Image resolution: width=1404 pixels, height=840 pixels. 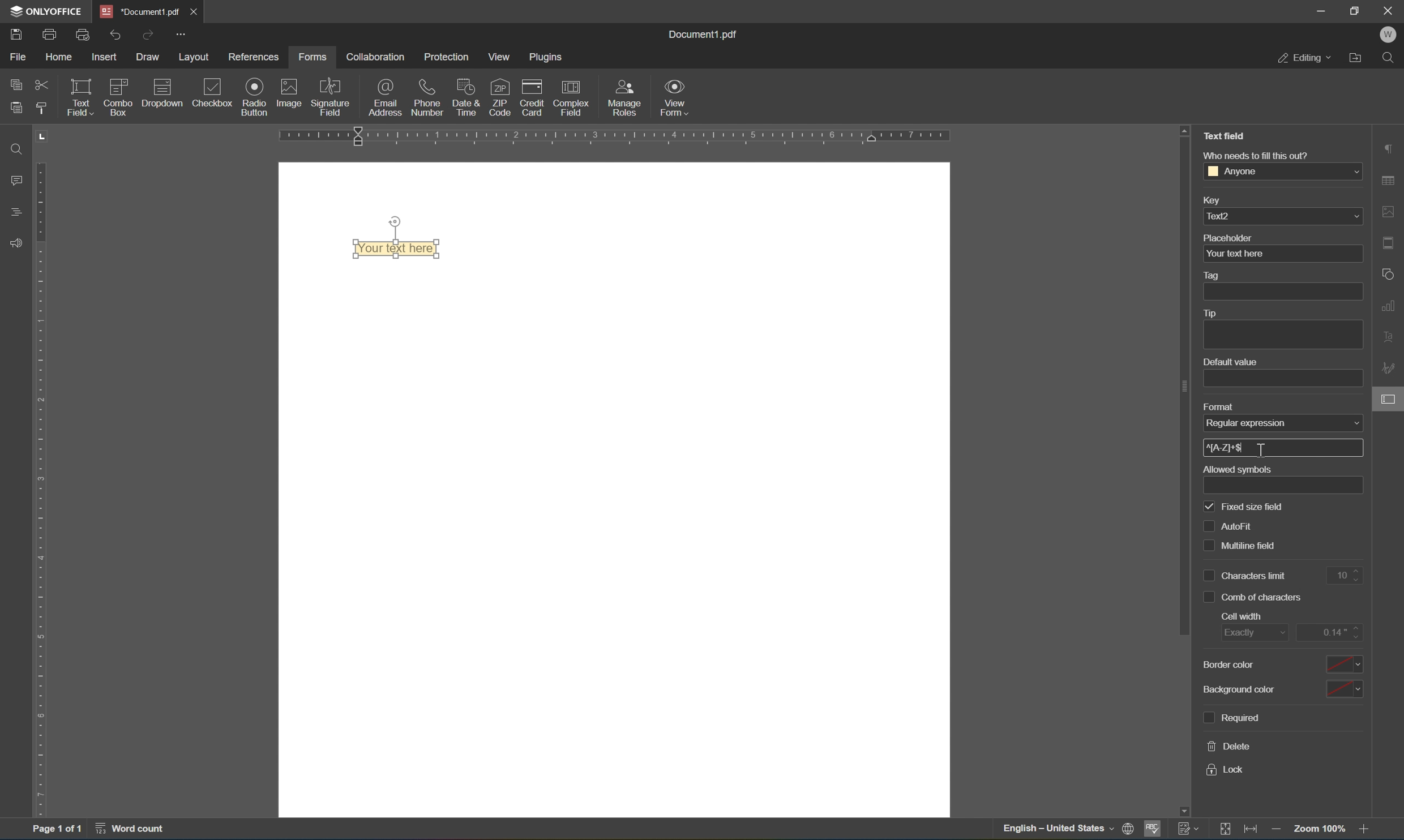 I want to click on ONLYOFFICE, so click(x=48, y=11).